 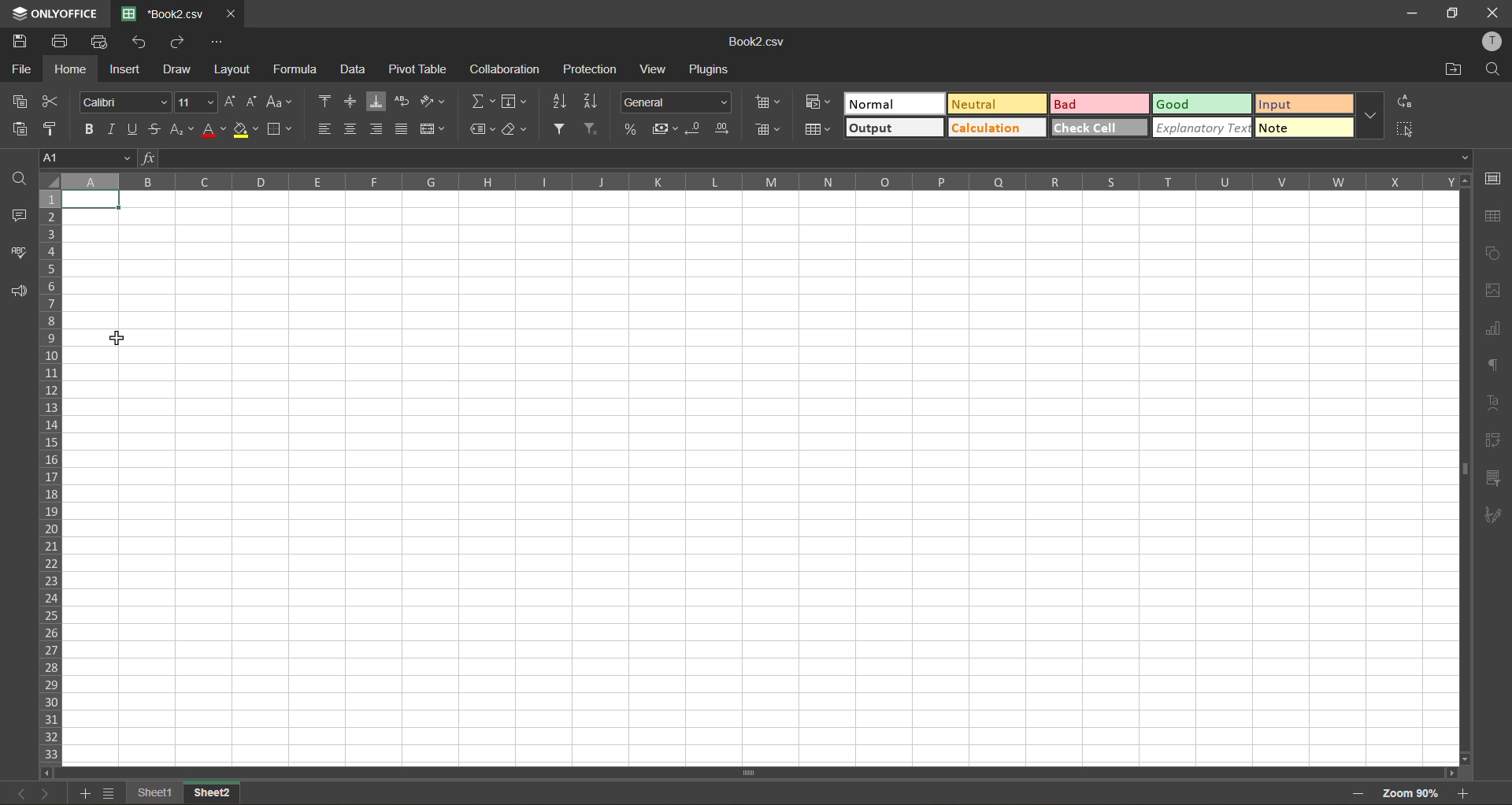 I want to click on pivot table, so click(x=1495, y=444).